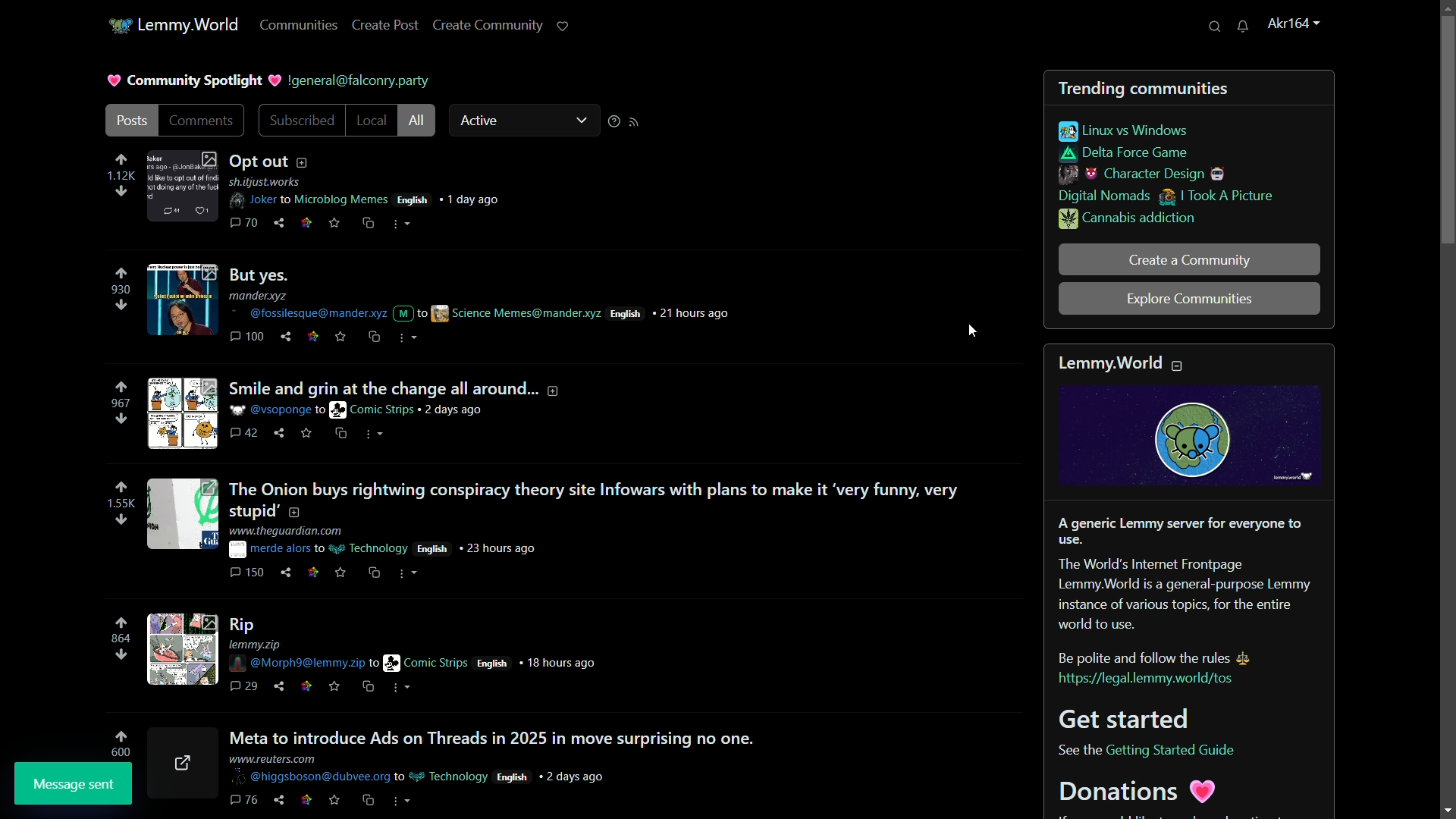 This screenshot has height=819, width=1456. I want to click on create post, so click(385, 27).